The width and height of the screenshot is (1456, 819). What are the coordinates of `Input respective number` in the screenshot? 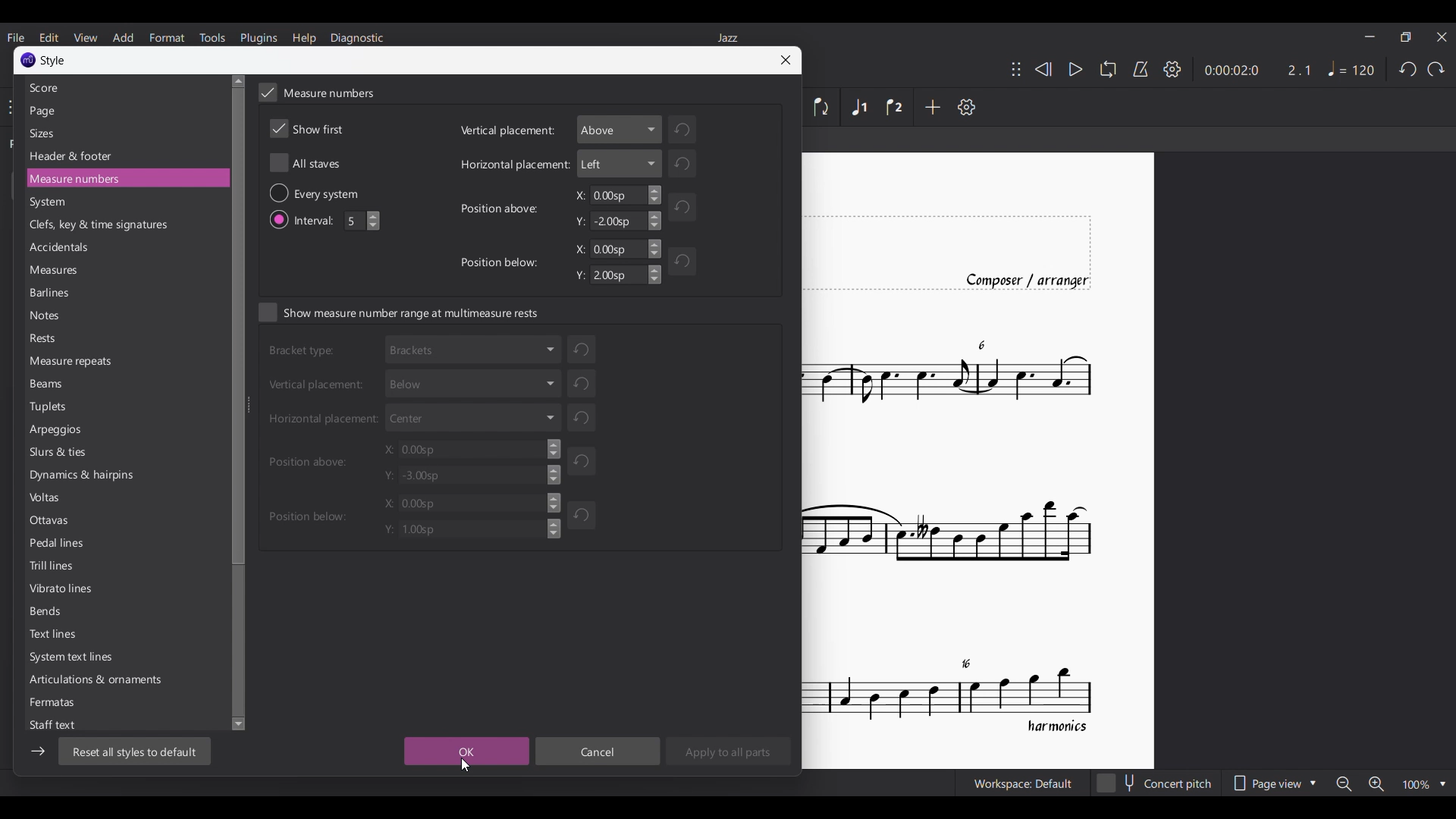 It's located at (363, 221).